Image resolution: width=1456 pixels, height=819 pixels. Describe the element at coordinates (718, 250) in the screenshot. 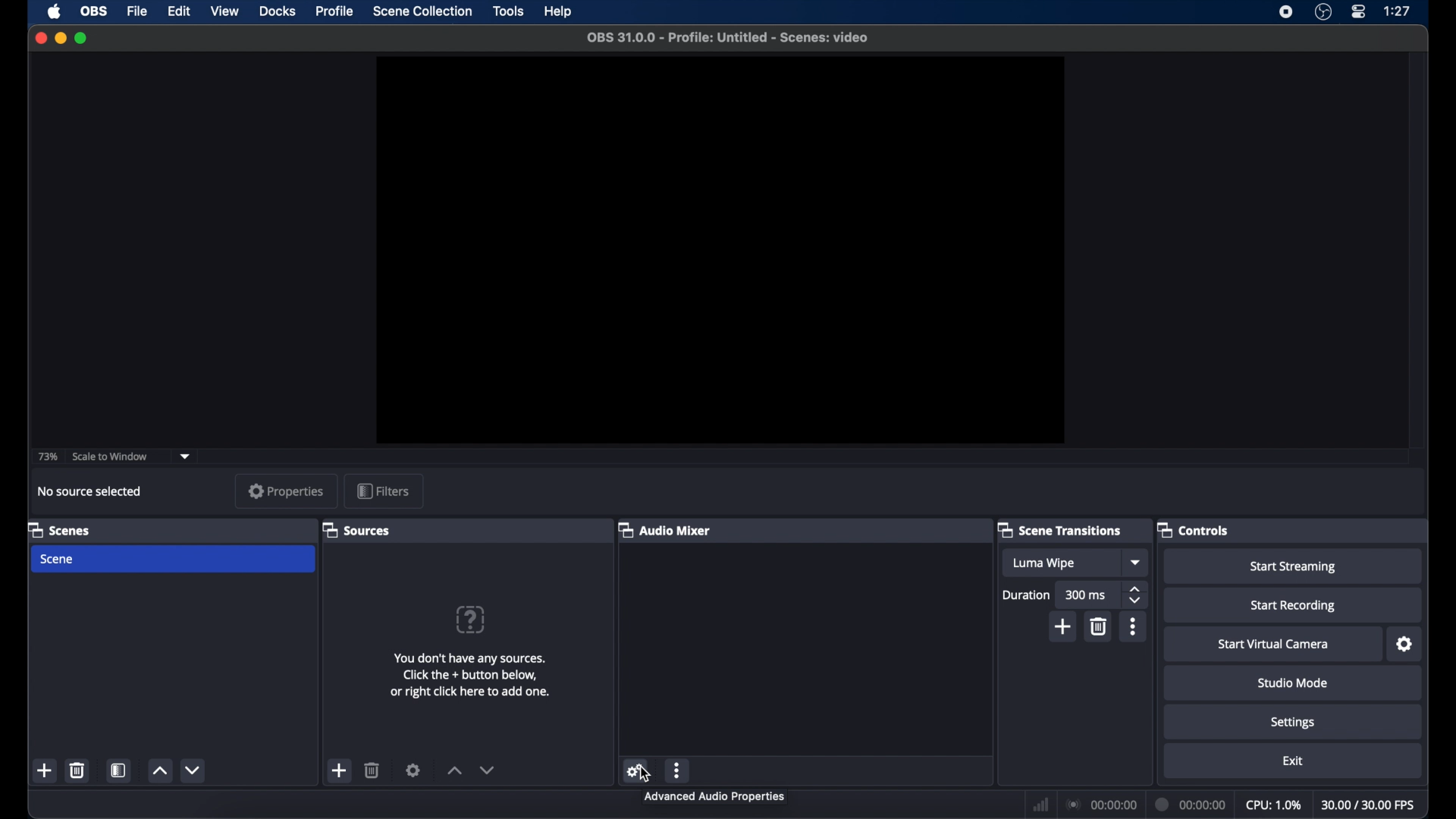

I see `preview` at that location.